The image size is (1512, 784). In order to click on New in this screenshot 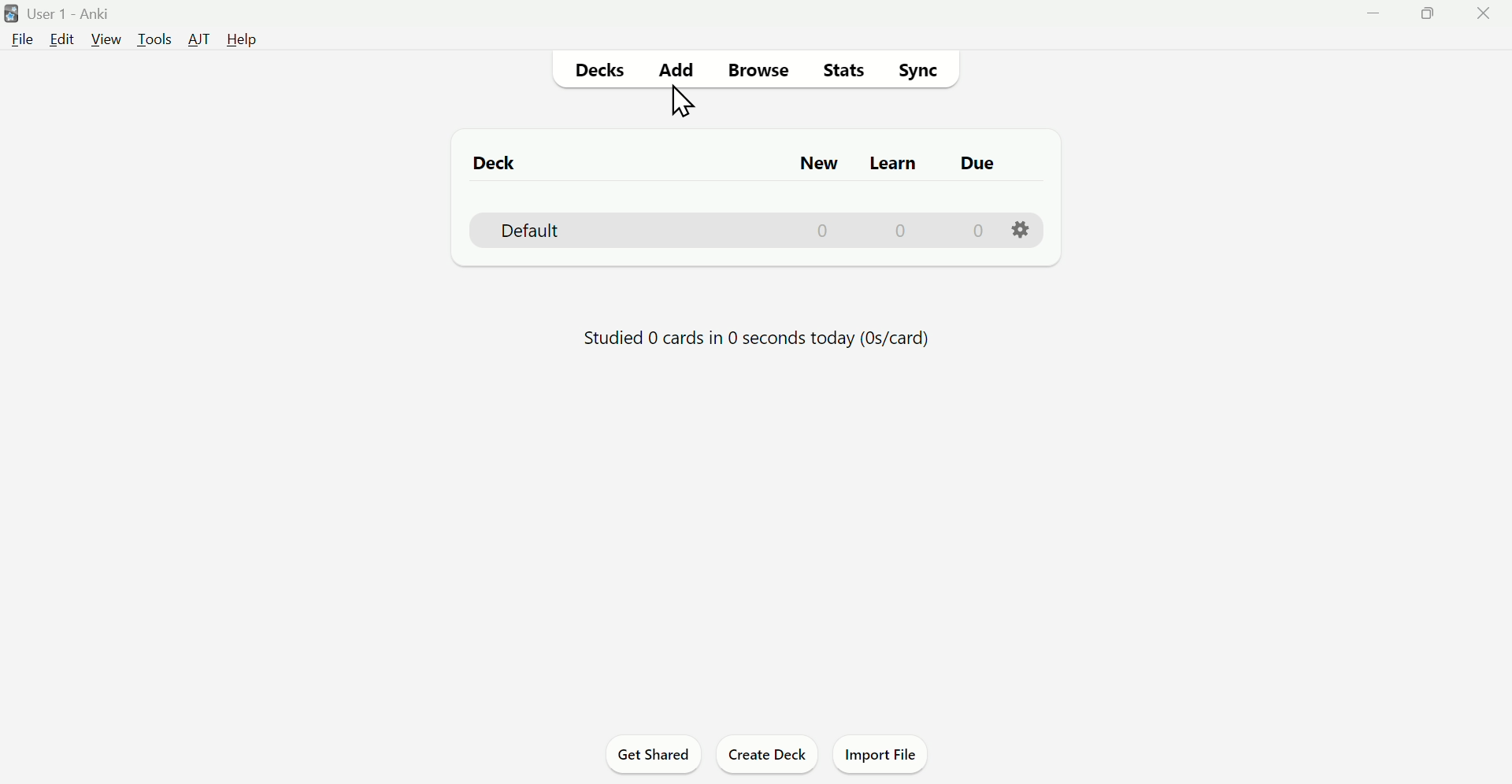, I will do `click(813, 161)`.